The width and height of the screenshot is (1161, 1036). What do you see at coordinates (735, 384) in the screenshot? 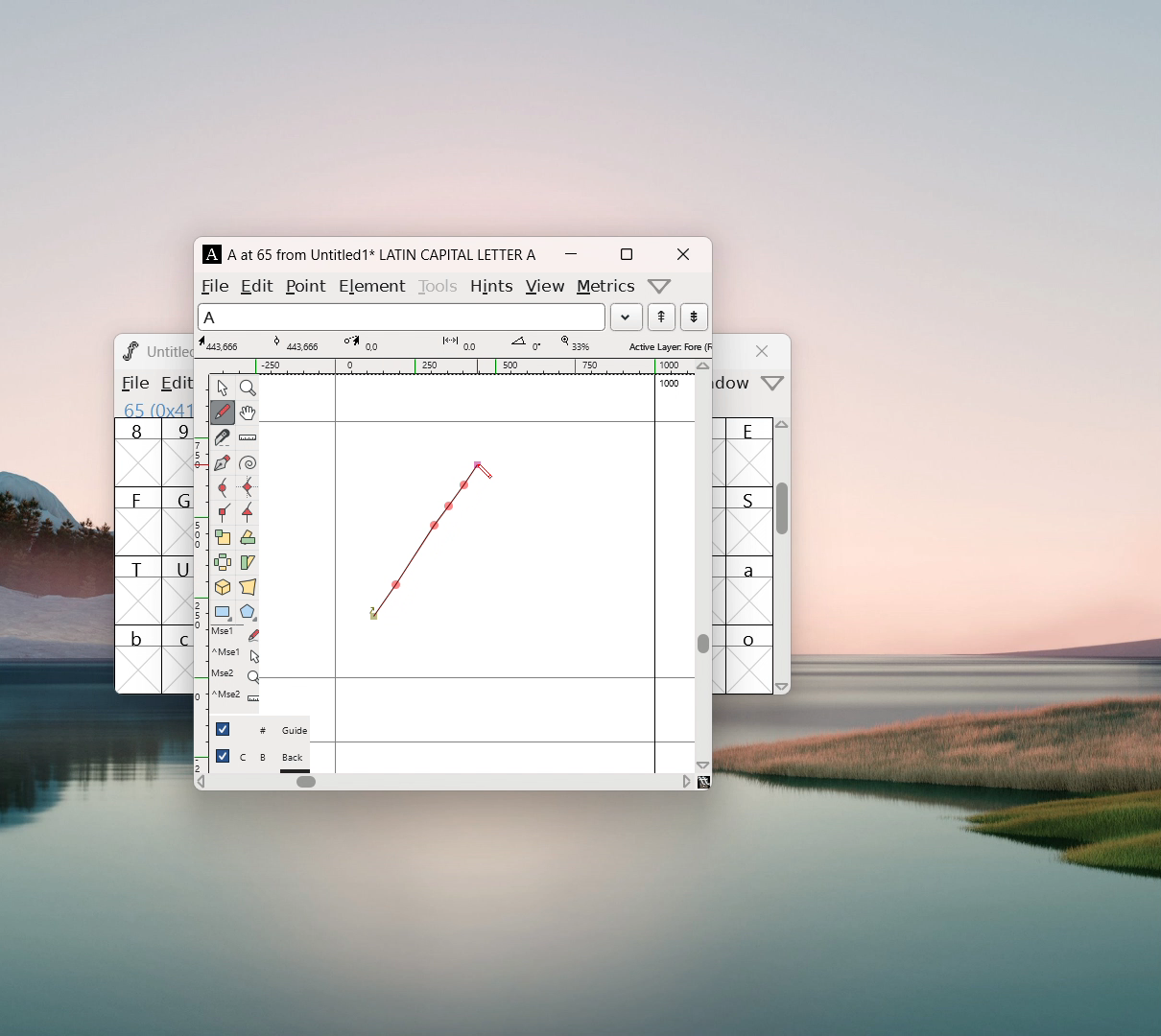
I see `window` at bounding box center [735, 384].